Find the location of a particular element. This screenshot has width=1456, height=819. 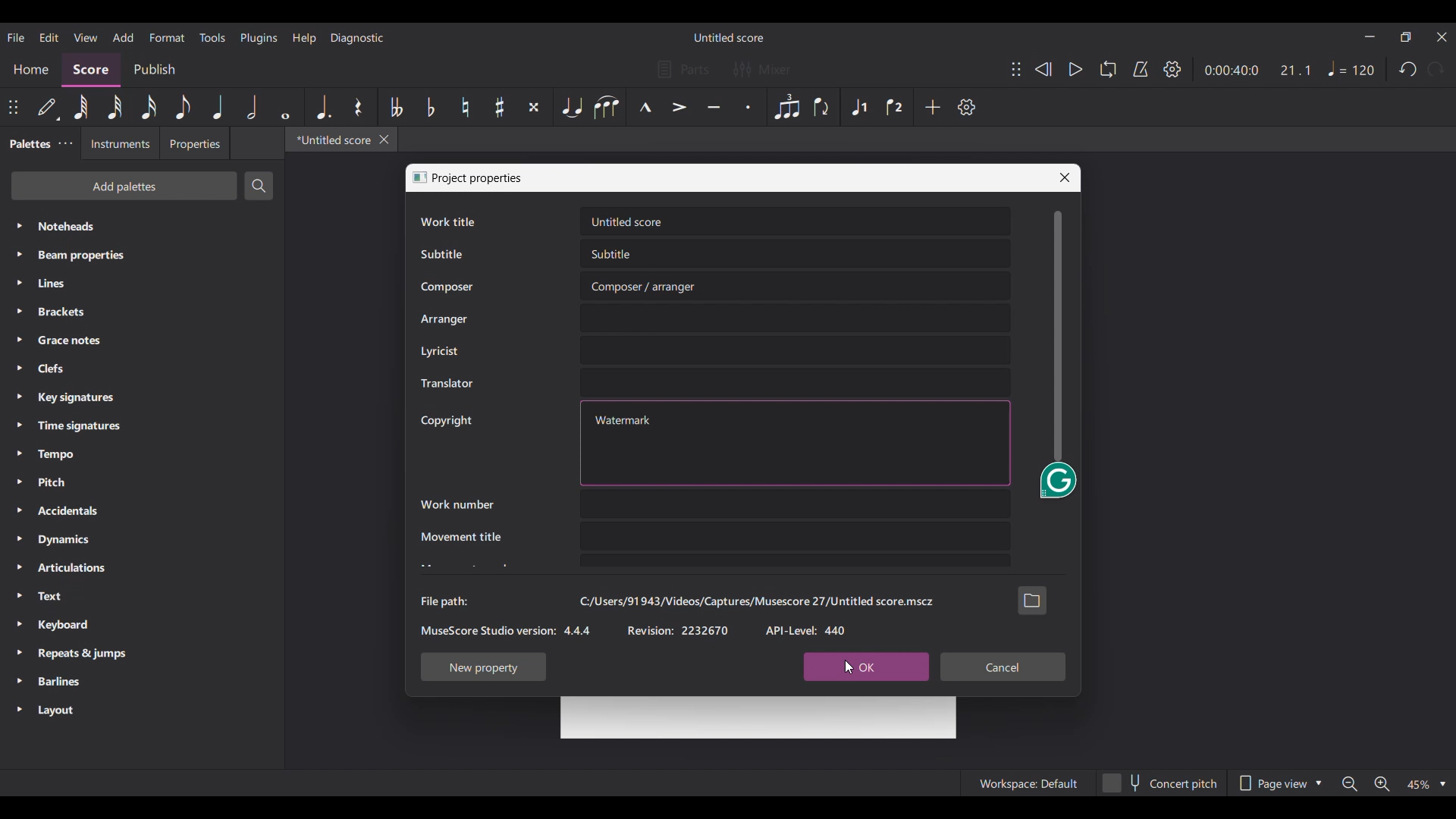

Mixer settings is located at coordinates (762, 69).